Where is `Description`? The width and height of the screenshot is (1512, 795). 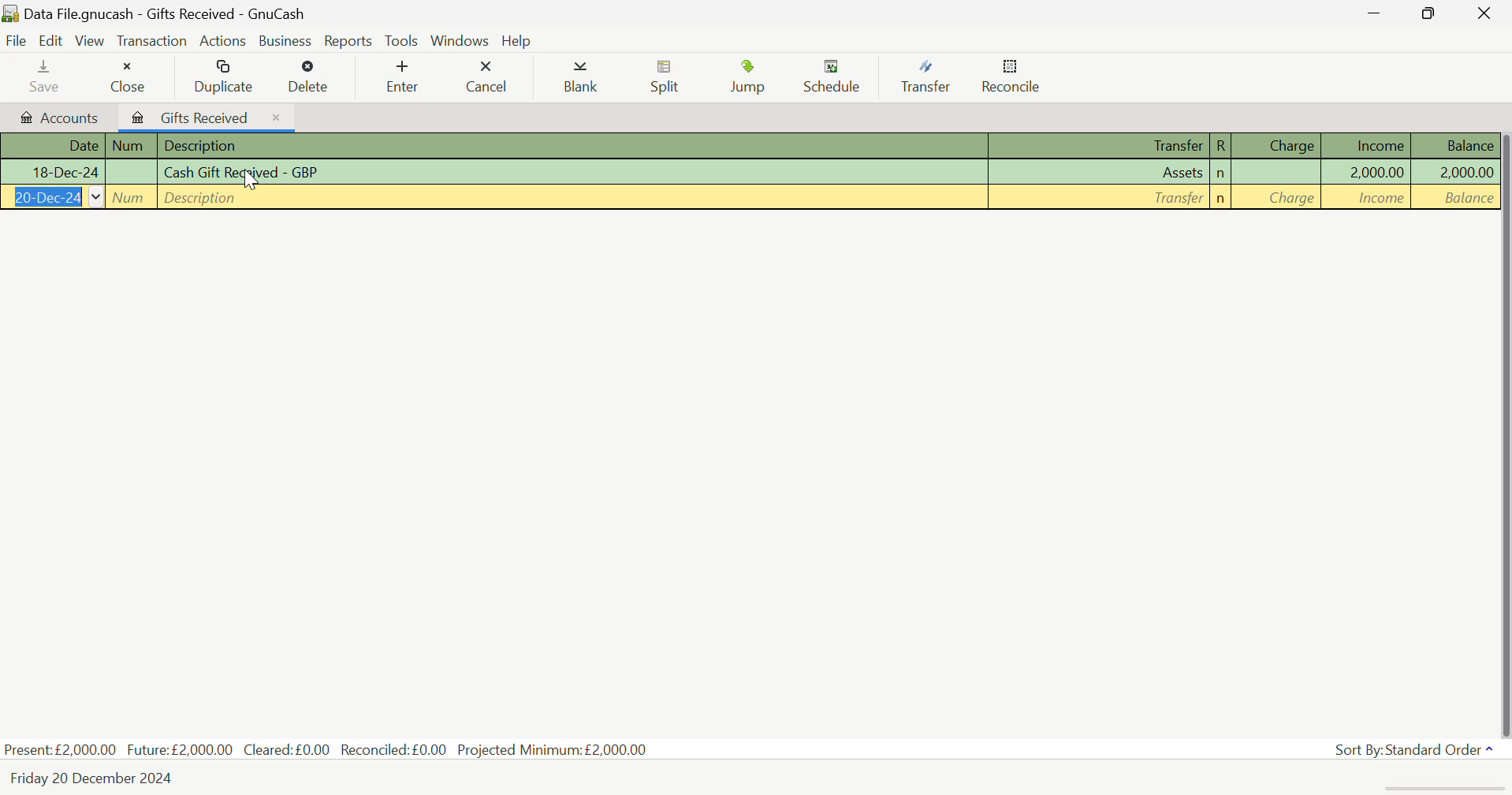
Description is located at coordinates (574, 147).